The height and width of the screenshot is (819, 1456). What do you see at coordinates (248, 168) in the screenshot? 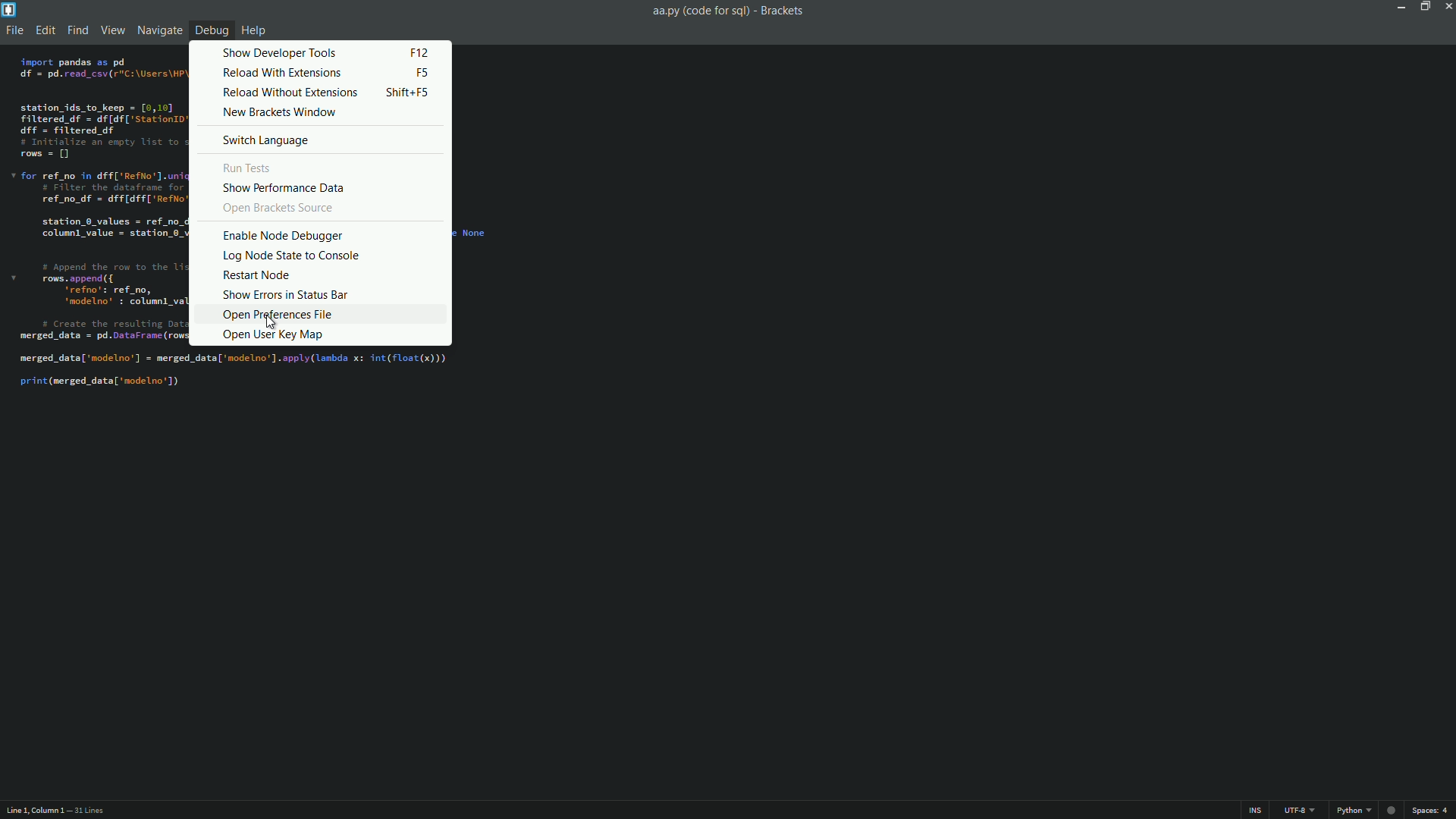
I see `run tests` at bounding box center [248, 168].